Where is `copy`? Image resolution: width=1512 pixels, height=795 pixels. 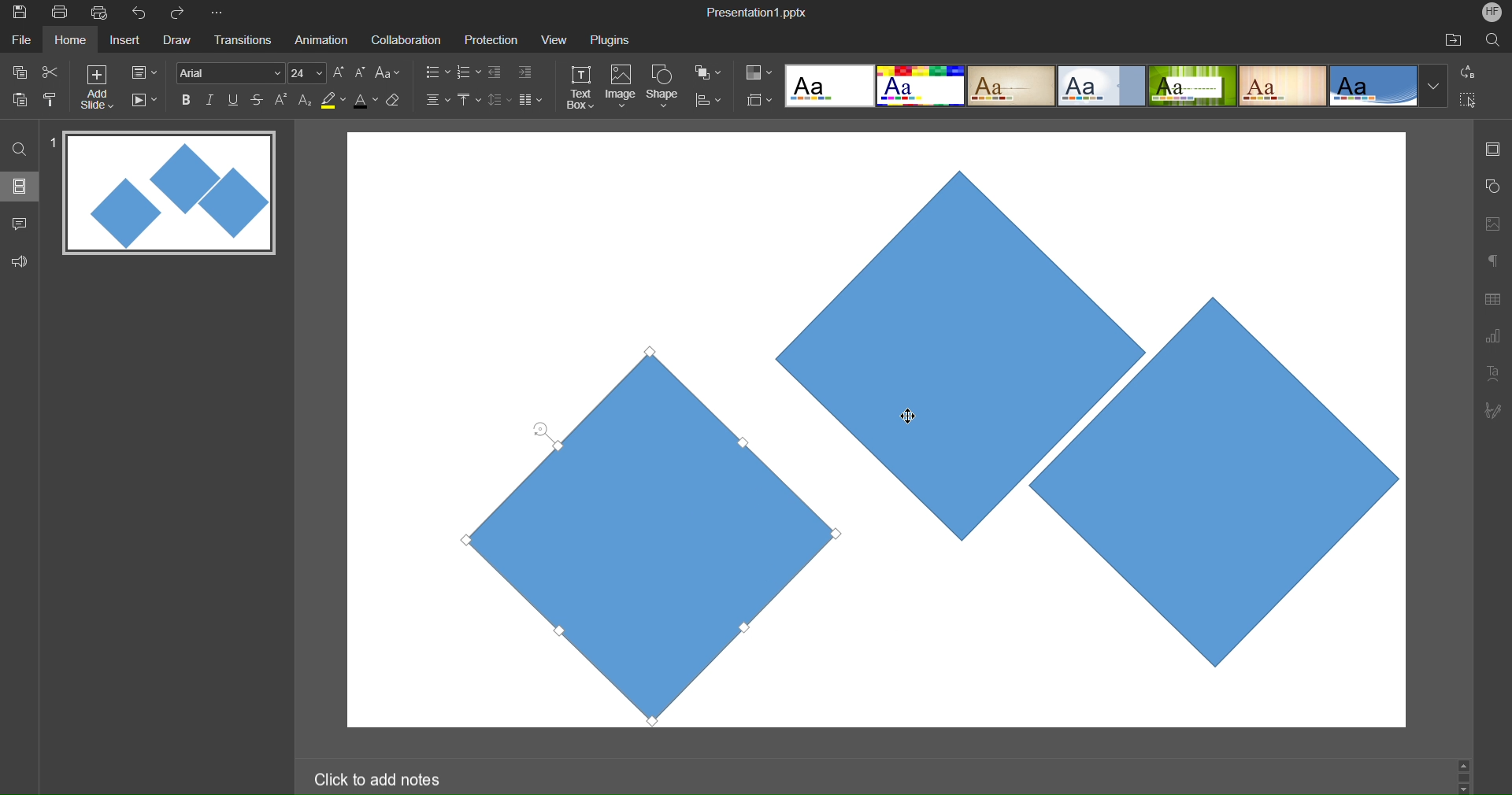 copy is located at coordinates (17, 72).